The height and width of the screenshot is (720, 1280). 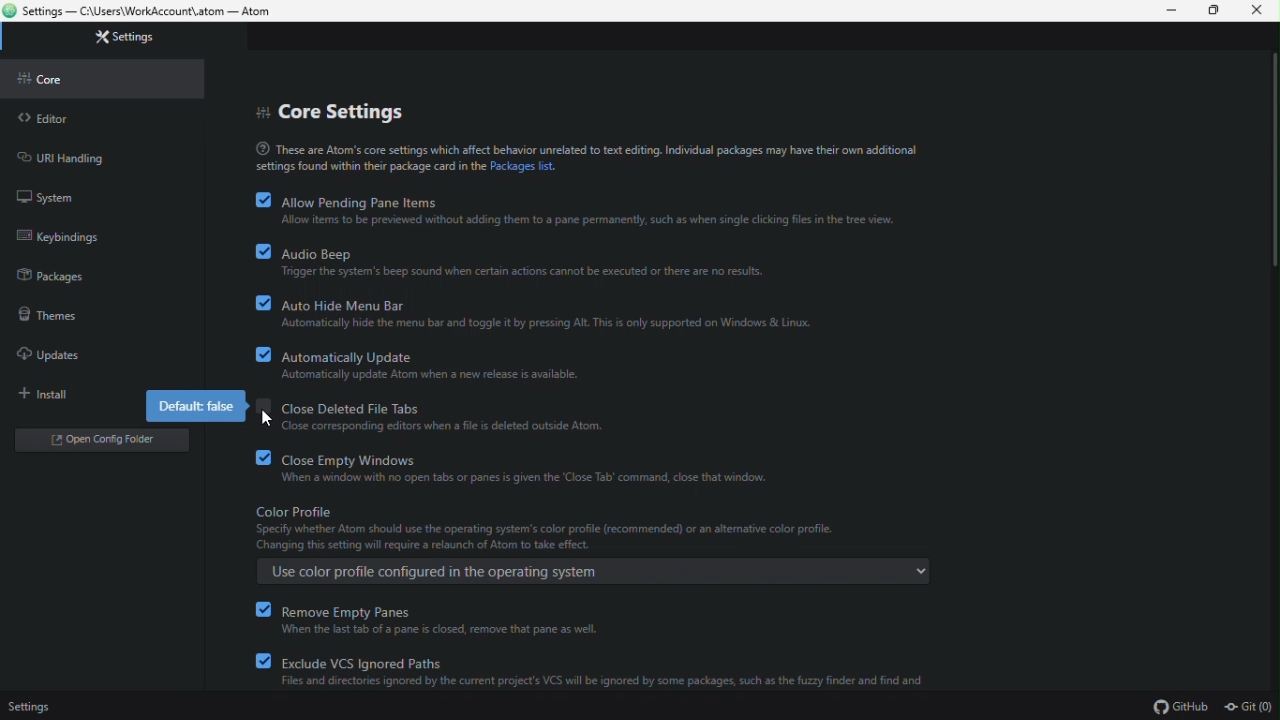 What do you see at coordinates (261, 658) in the screenshot?
I see `checkbox` at bounding box center [261, 658].